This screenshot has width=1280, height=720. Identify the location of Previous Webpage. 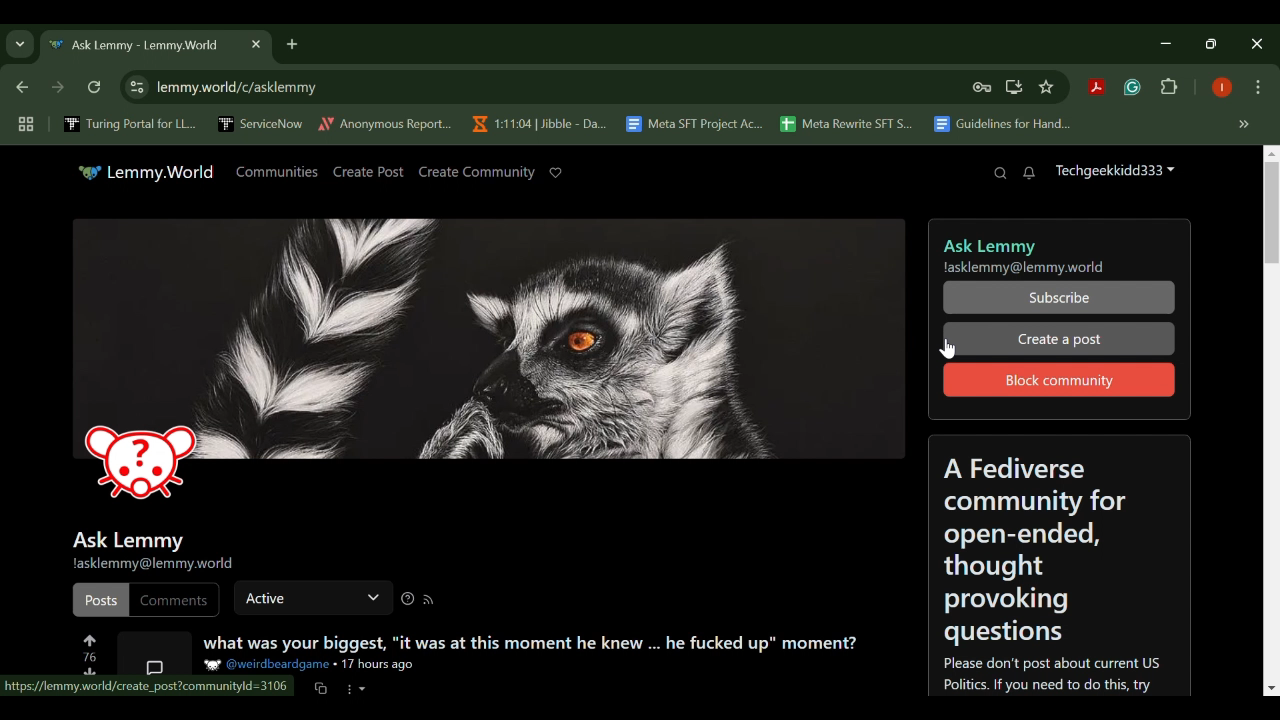
(19, 89).